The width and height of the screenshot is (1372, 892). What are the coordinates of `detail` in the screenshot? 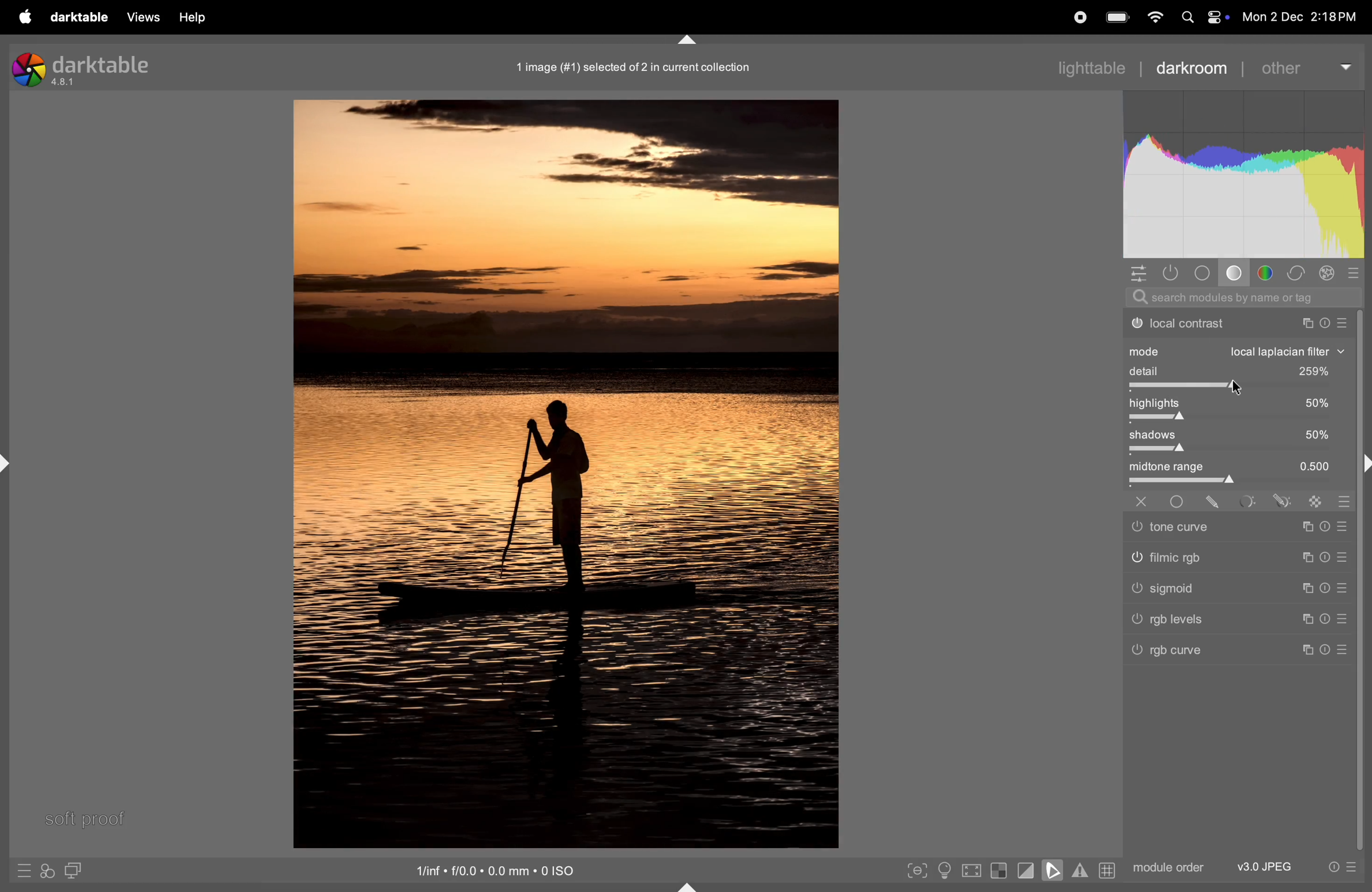 It's located at (1235, 370).